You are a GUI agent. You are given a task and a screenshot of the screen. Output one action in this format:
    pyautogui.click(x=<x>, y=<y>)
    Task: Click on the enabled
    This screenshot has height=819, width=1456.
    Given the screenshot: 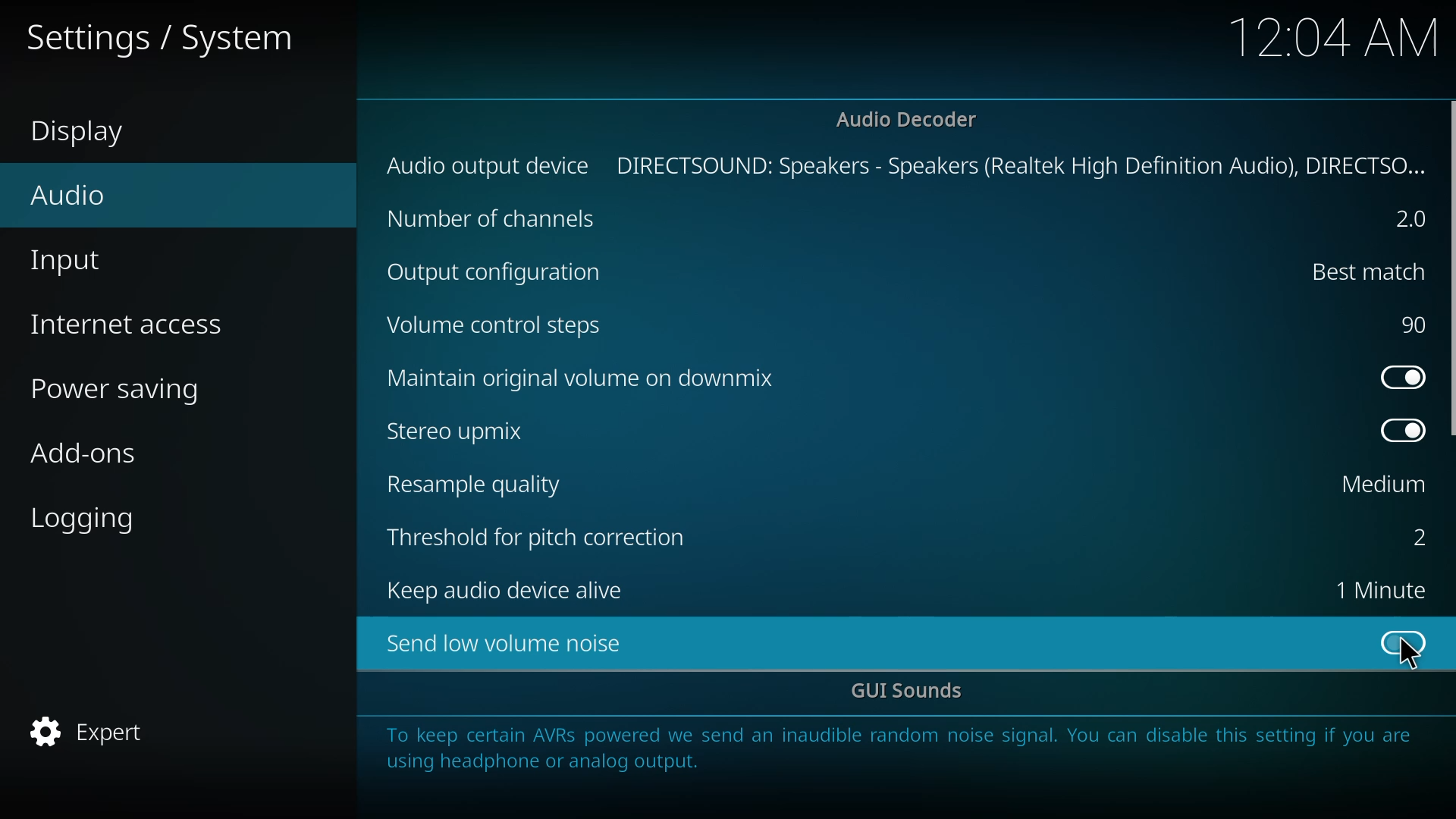 What is the action you would take?
    pyautogui.click(x=1404, y=431)
    